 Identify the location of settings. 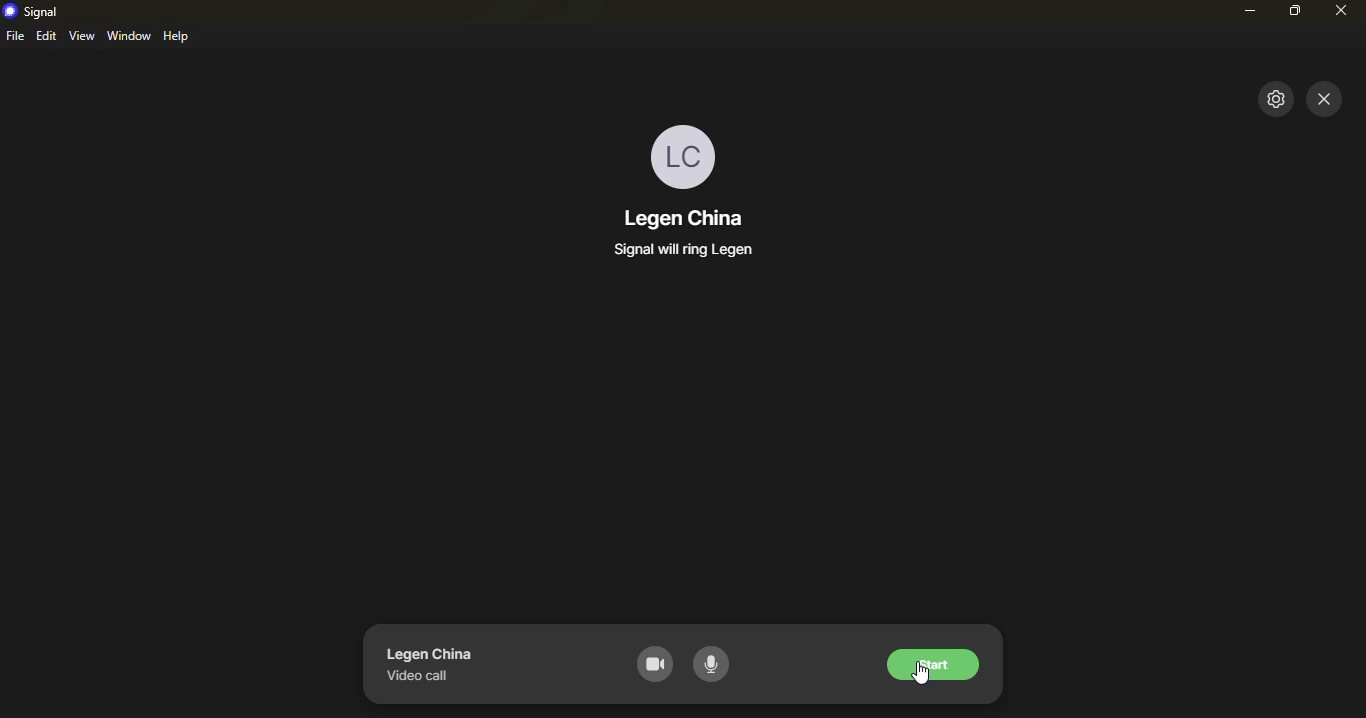
(1275, 97).